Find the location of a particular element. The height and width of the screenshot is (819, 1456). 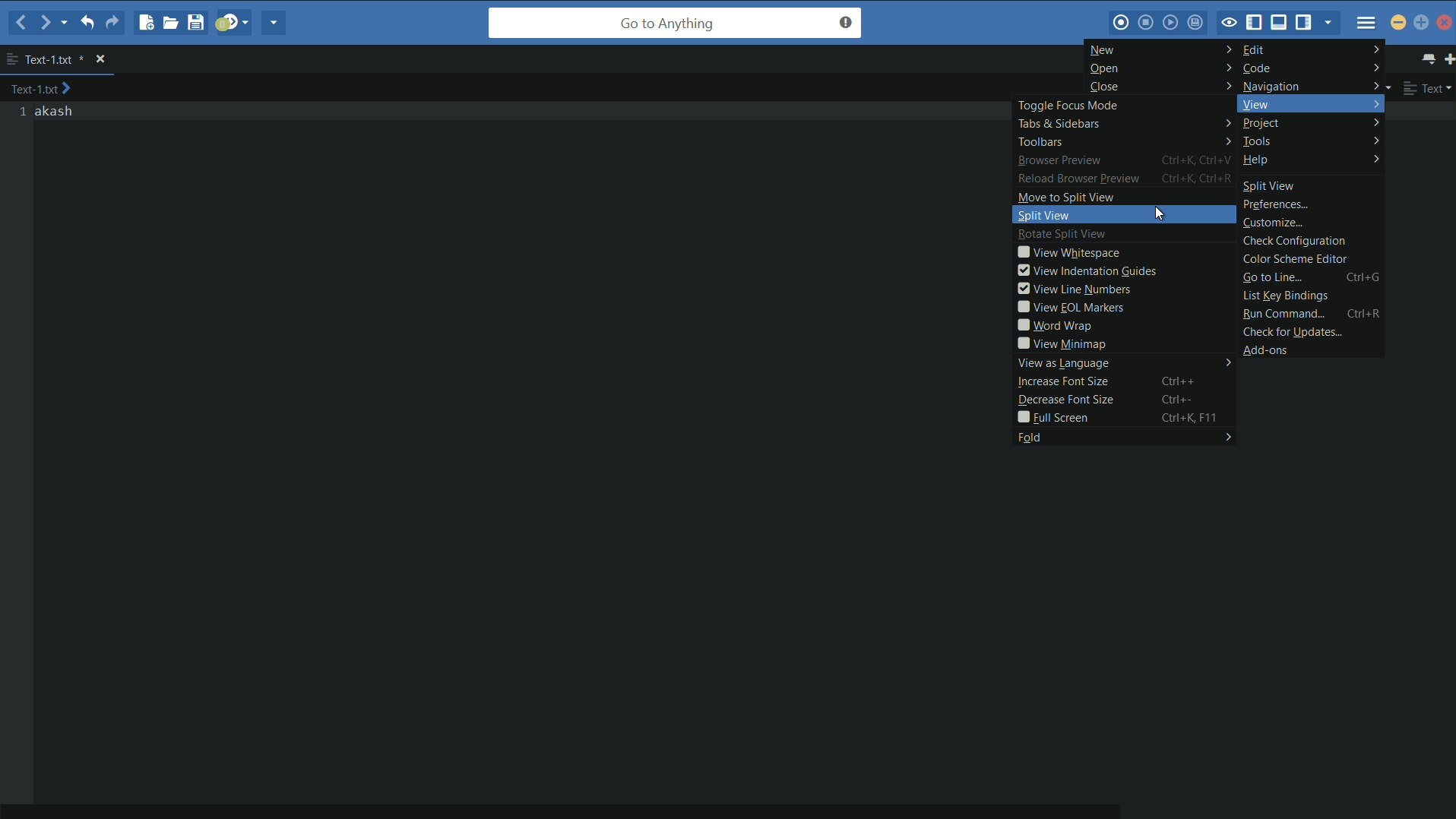

move to split view is located at coordinates (1126, 196).